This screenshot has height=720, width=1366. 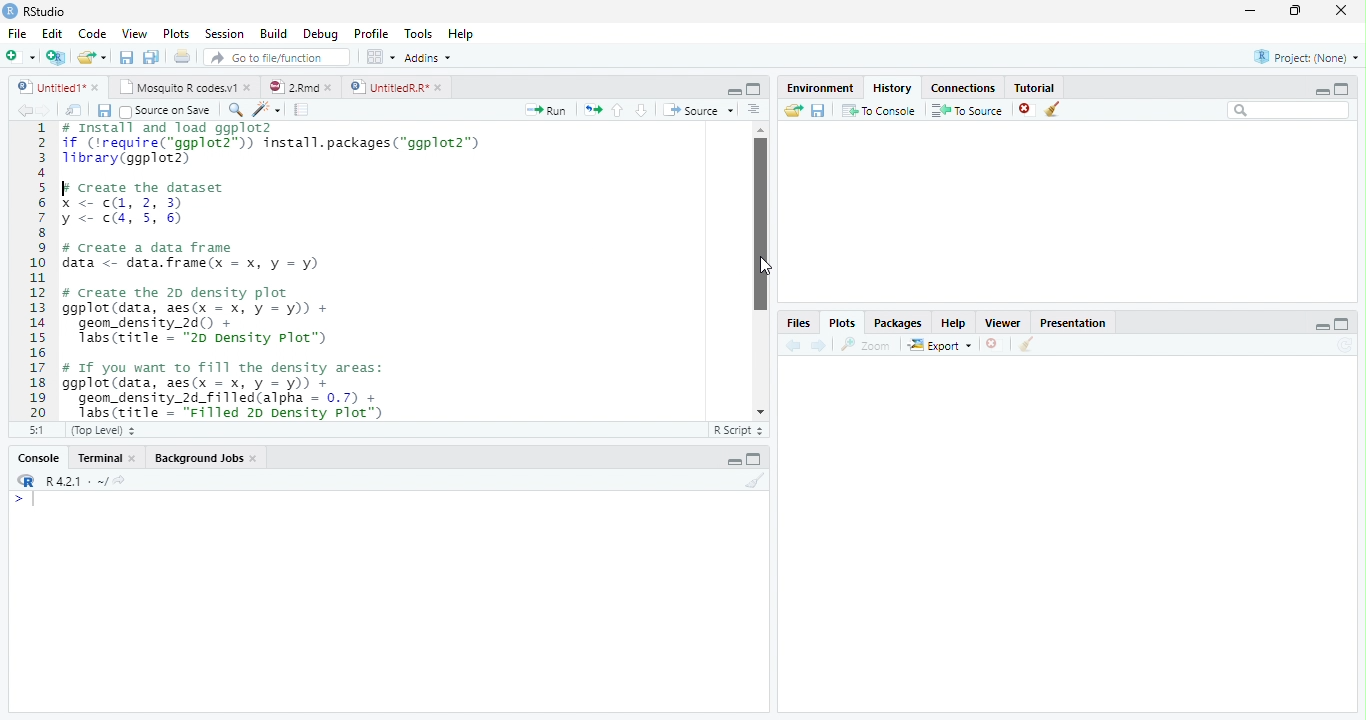 I want to click on minimize, so click(x=1249, y=12).